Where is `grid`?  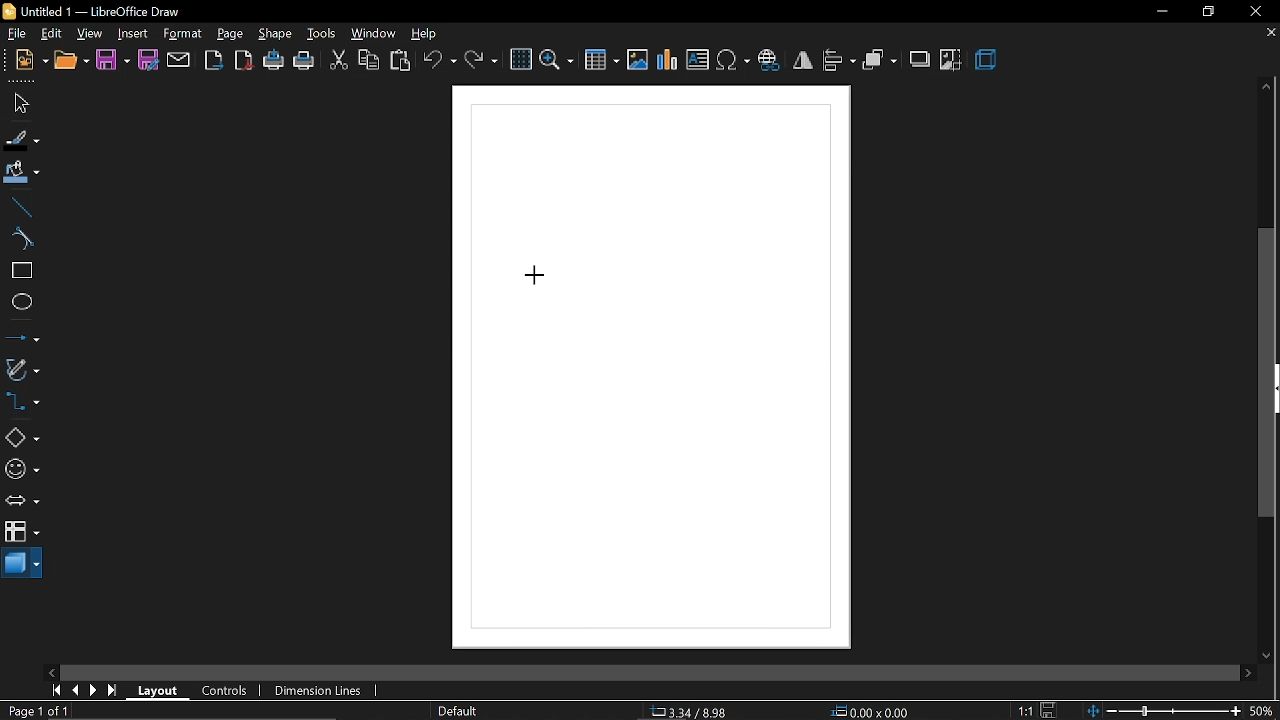
grid is located at coordinates (521, 60).